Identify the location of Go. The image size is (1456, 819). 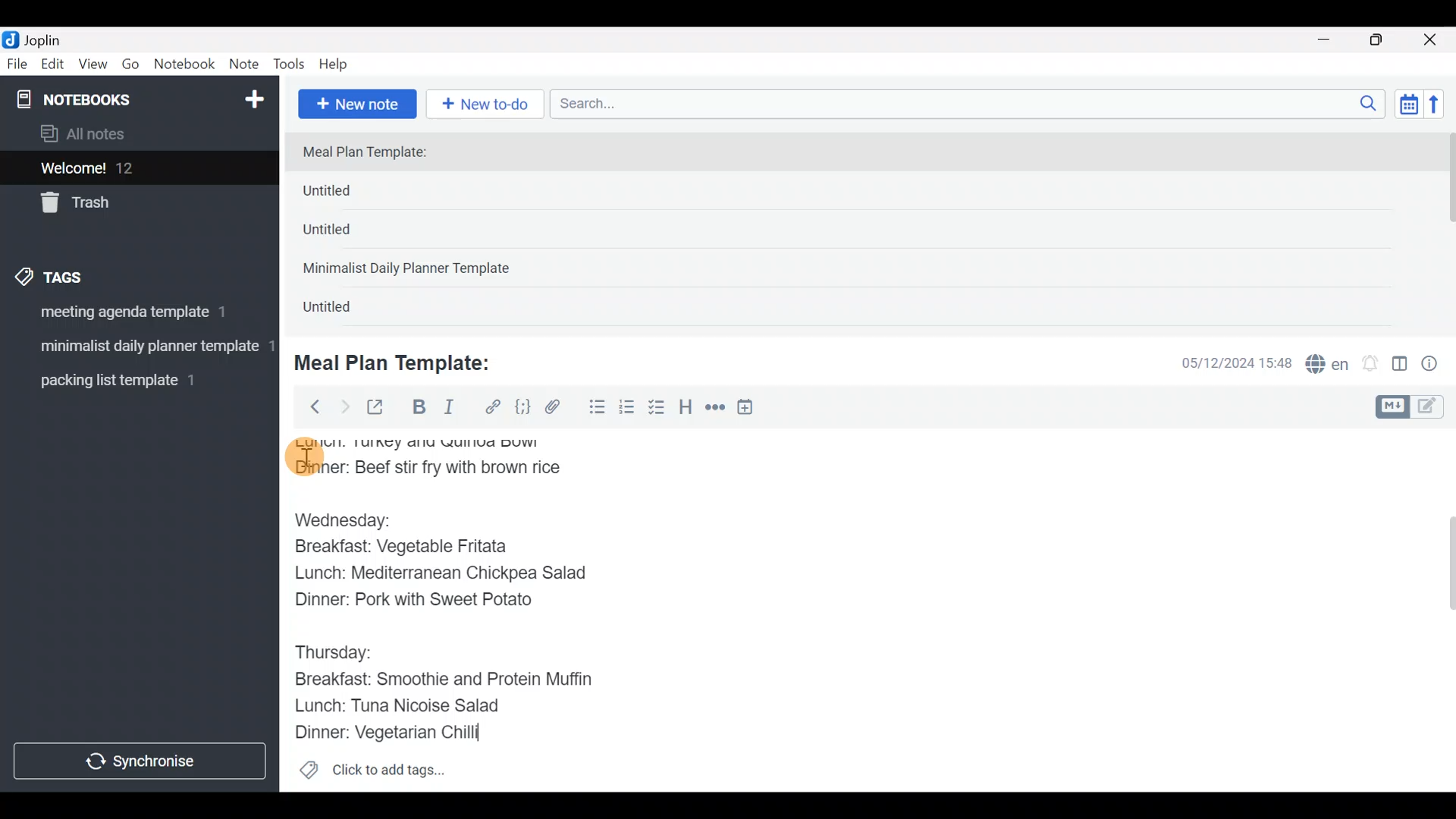
(130, 67).